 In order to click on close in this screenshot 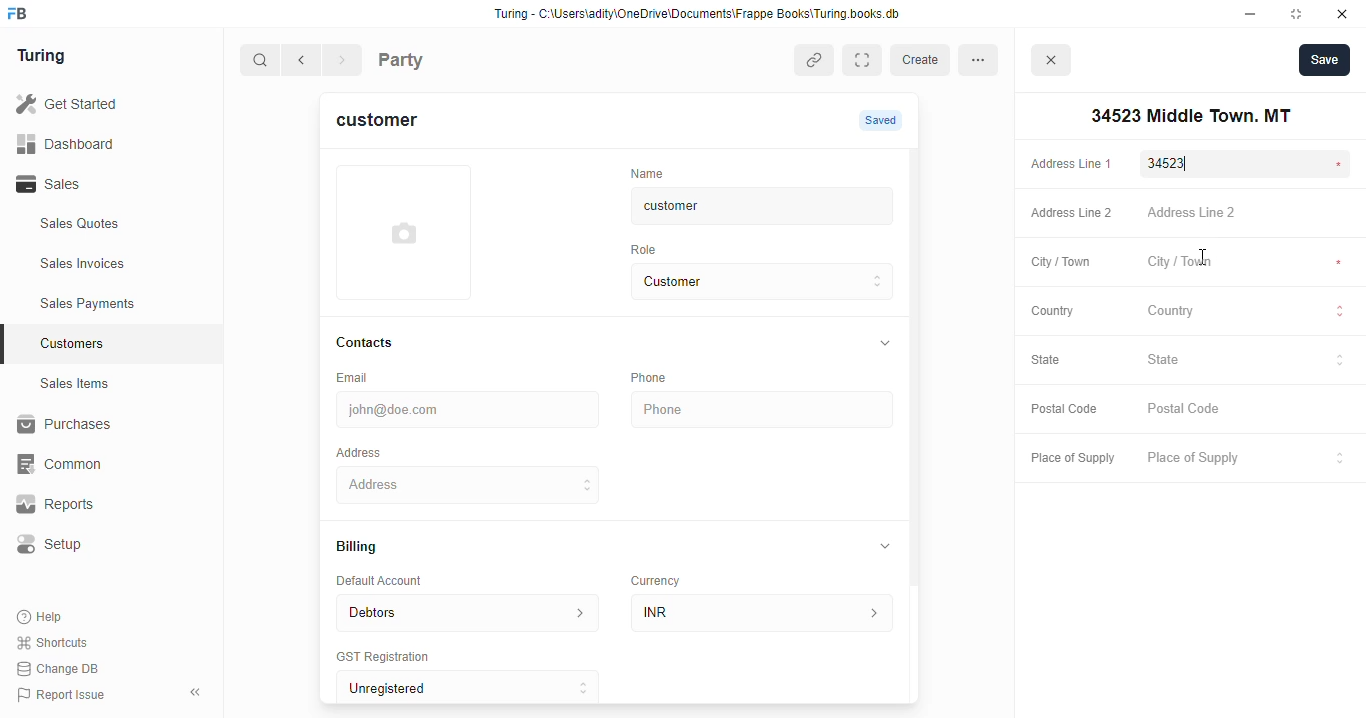, I will do `click(1345, 14)`.